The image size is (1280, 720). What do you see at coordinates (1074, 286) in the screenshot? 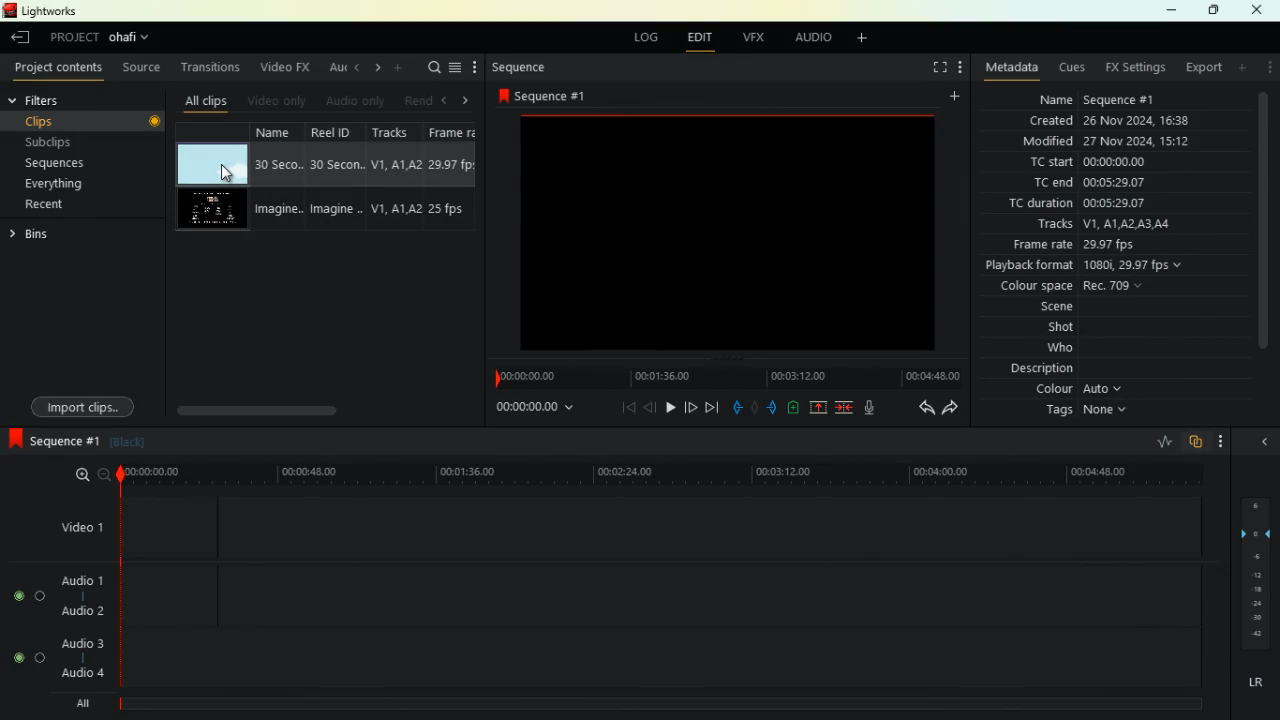
I see `colour space` at bounding box center [1074, 286].